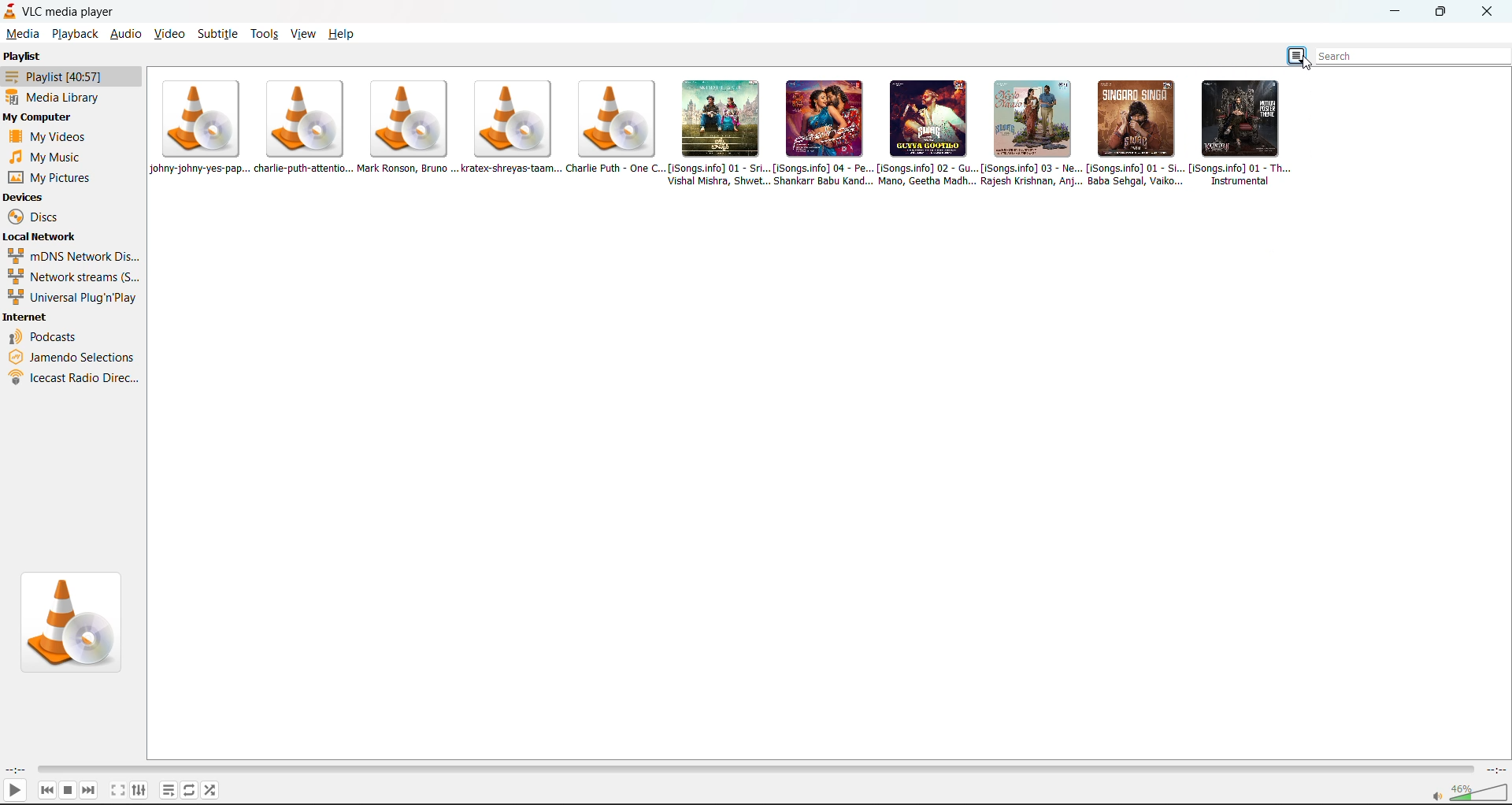  I want to click on stop, so click(67, 790).